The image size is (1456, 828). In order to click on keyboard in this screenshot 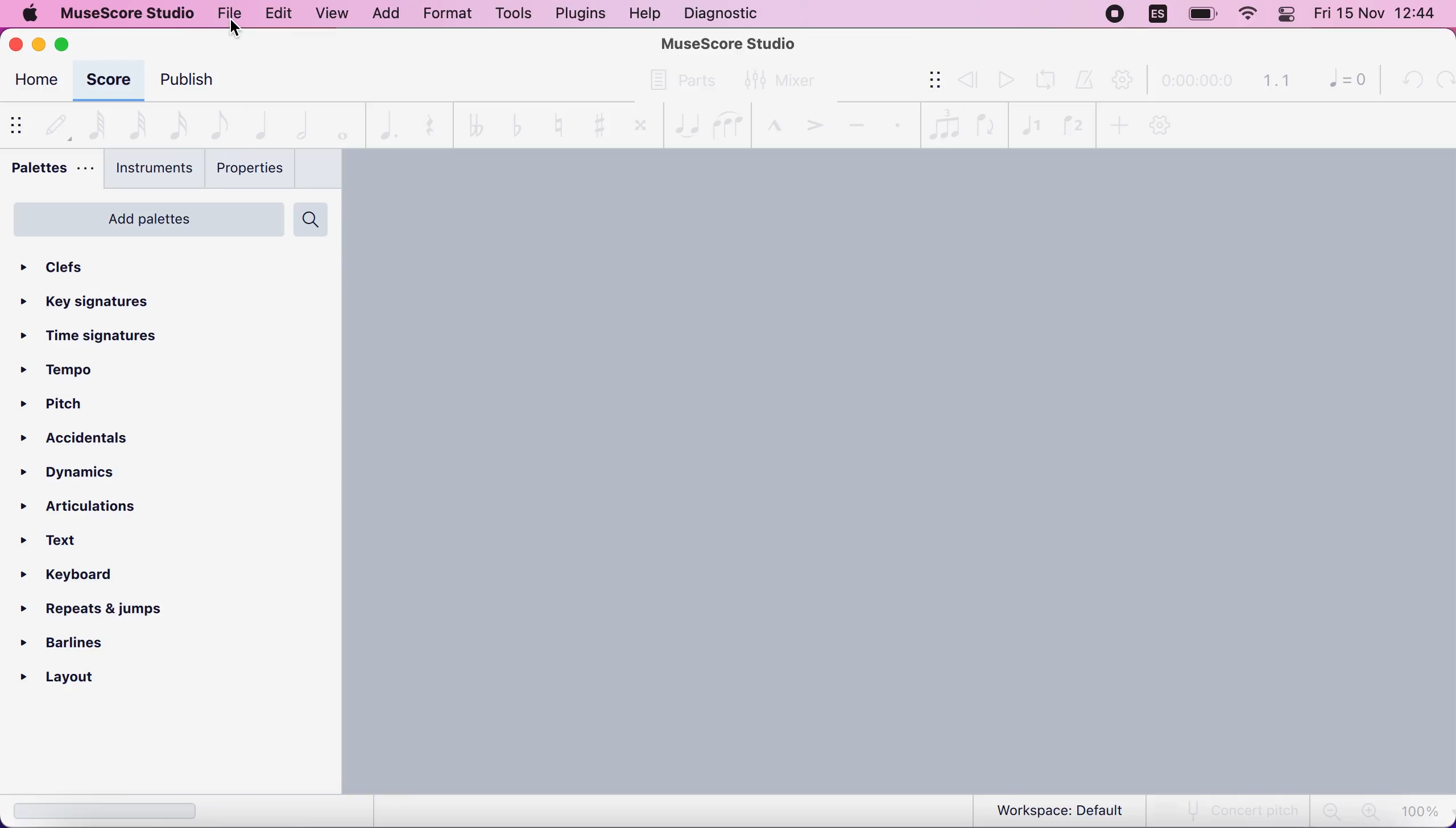, I will do `click(76, 577)`.